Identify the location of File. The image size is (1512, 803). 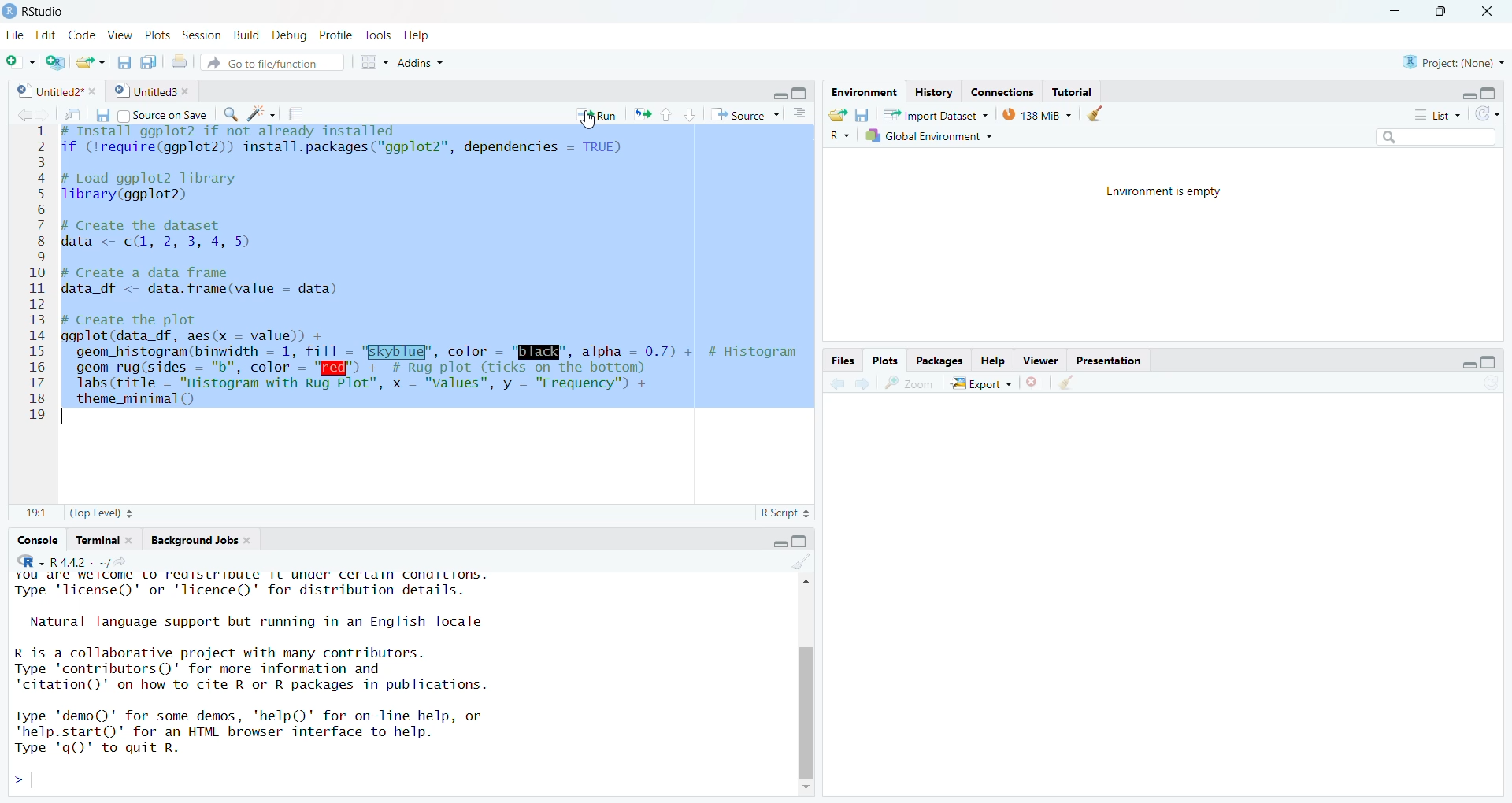
(13, 32).